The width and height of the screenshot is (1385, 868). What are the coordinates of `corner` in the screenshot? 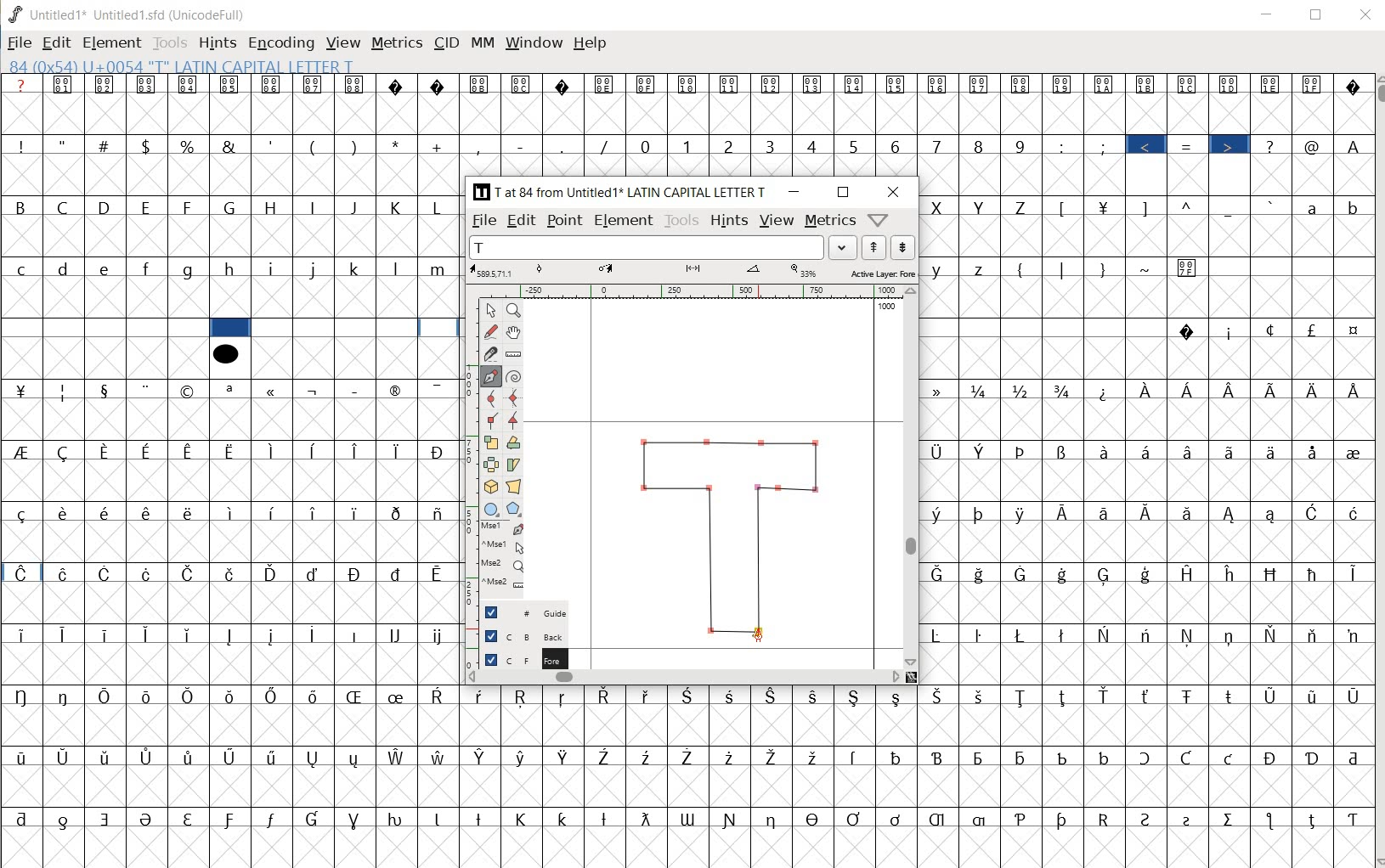 It's located at (491, 421).